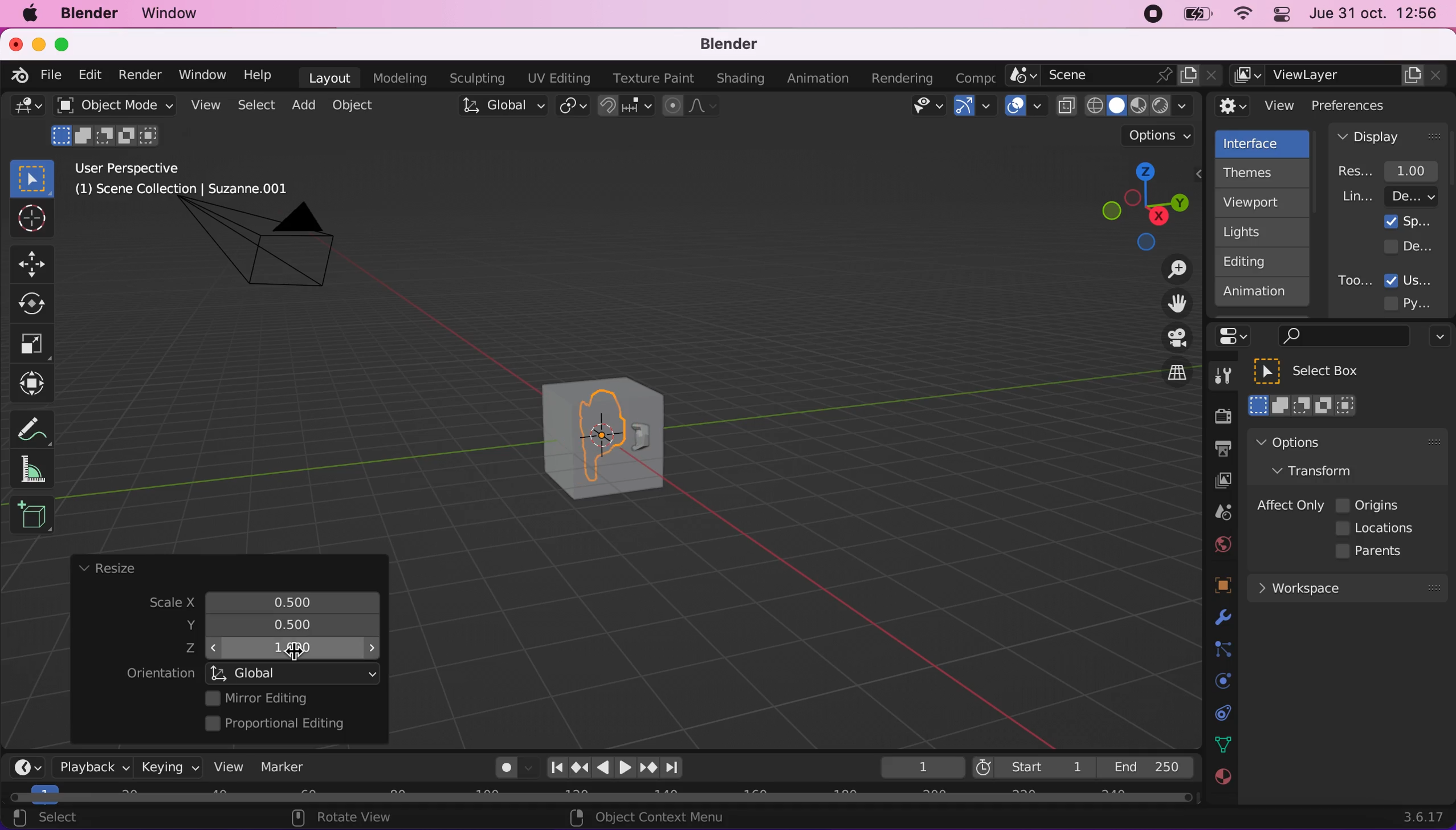 This screenshot has height=830, width=1456. I want to click on wifi, so click(1239, 17).